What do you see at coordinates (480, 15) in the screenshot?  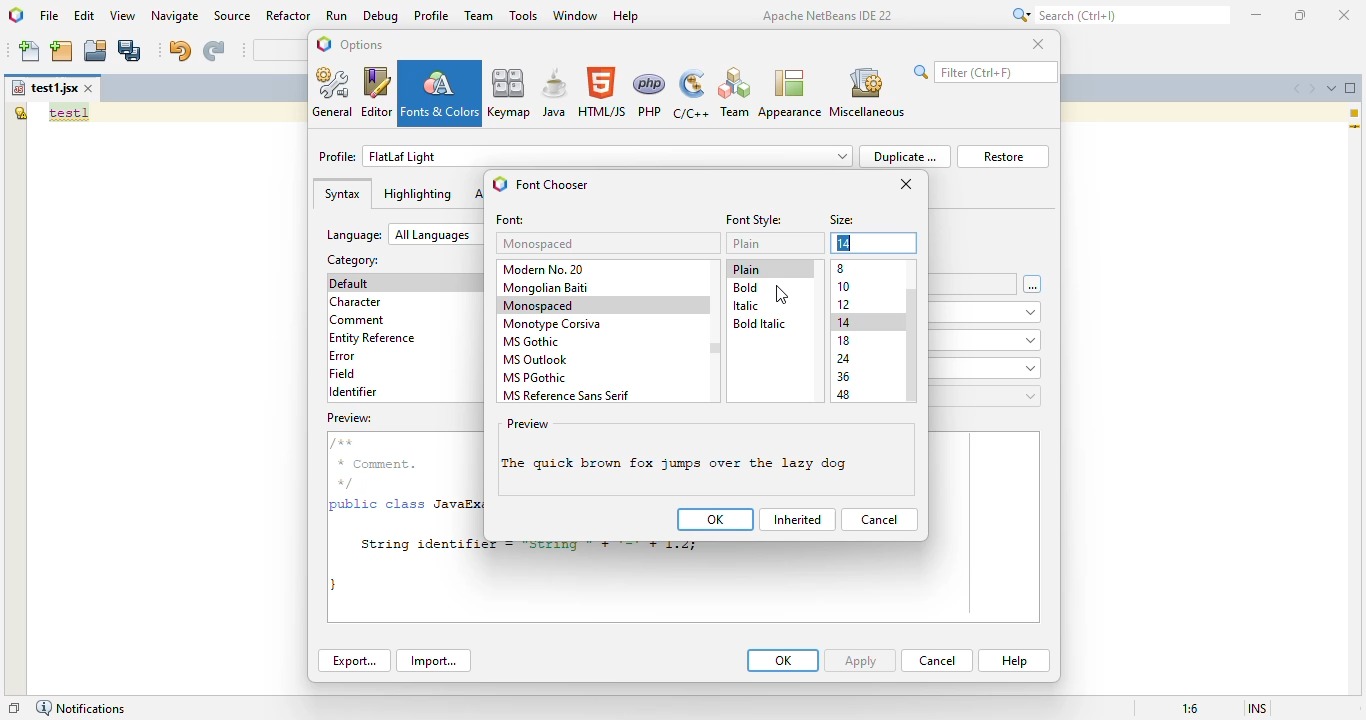 I see `team` at bounding box center [480, 15].